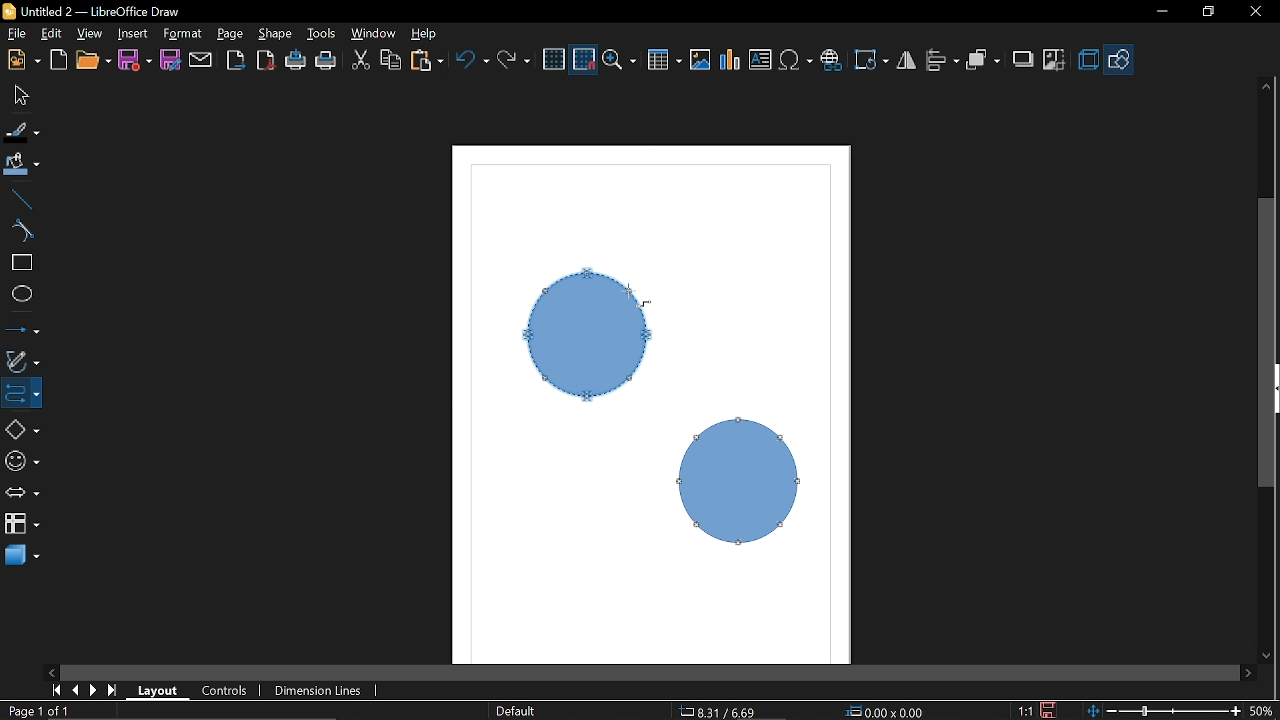  What do you see at coordinates (427, 34) in the screenshot?
I see `Help` at bounding box center [427, 34].